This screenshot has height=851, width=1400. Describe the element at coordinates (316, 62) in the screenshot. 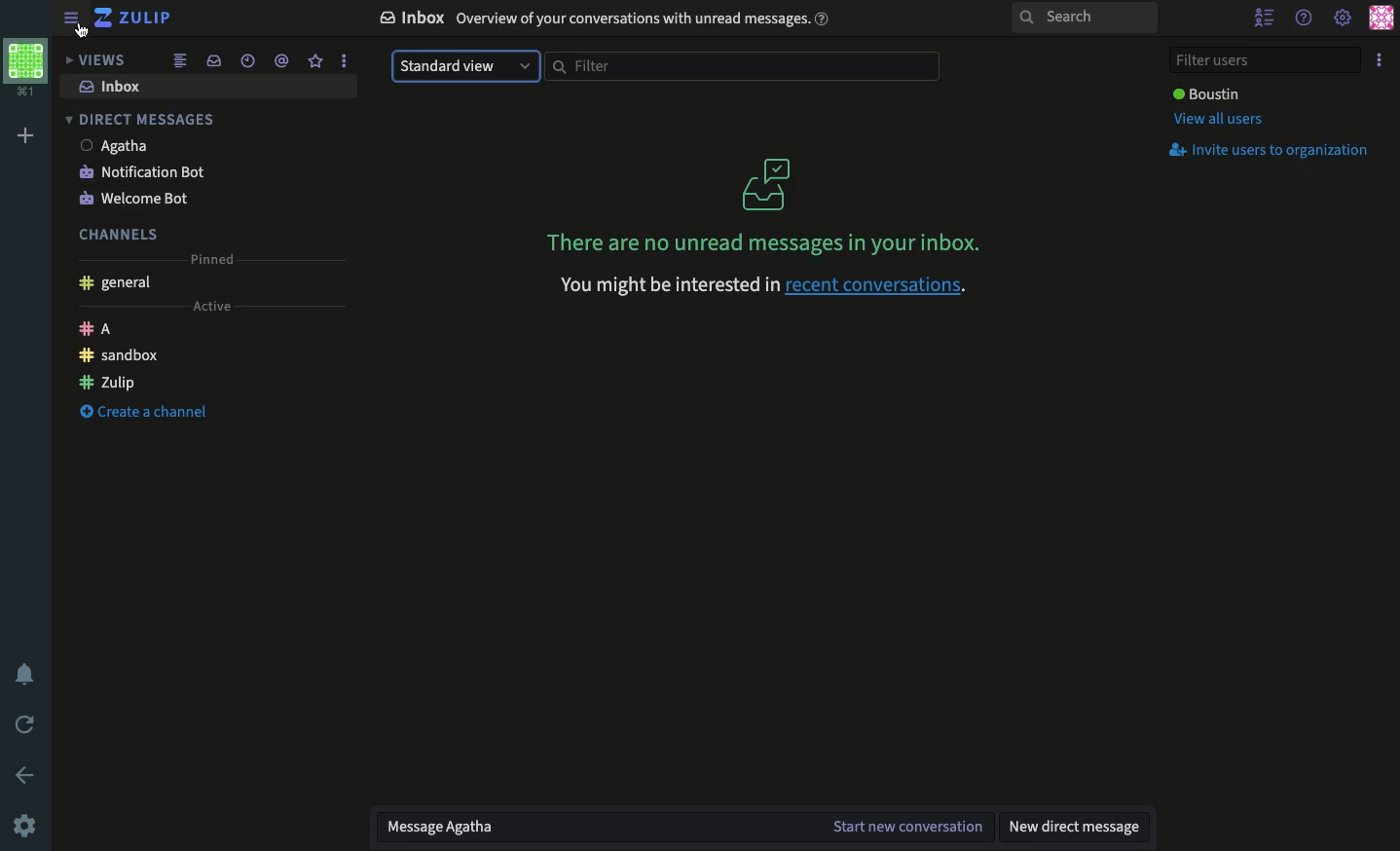

I see `Favorite` at that location.